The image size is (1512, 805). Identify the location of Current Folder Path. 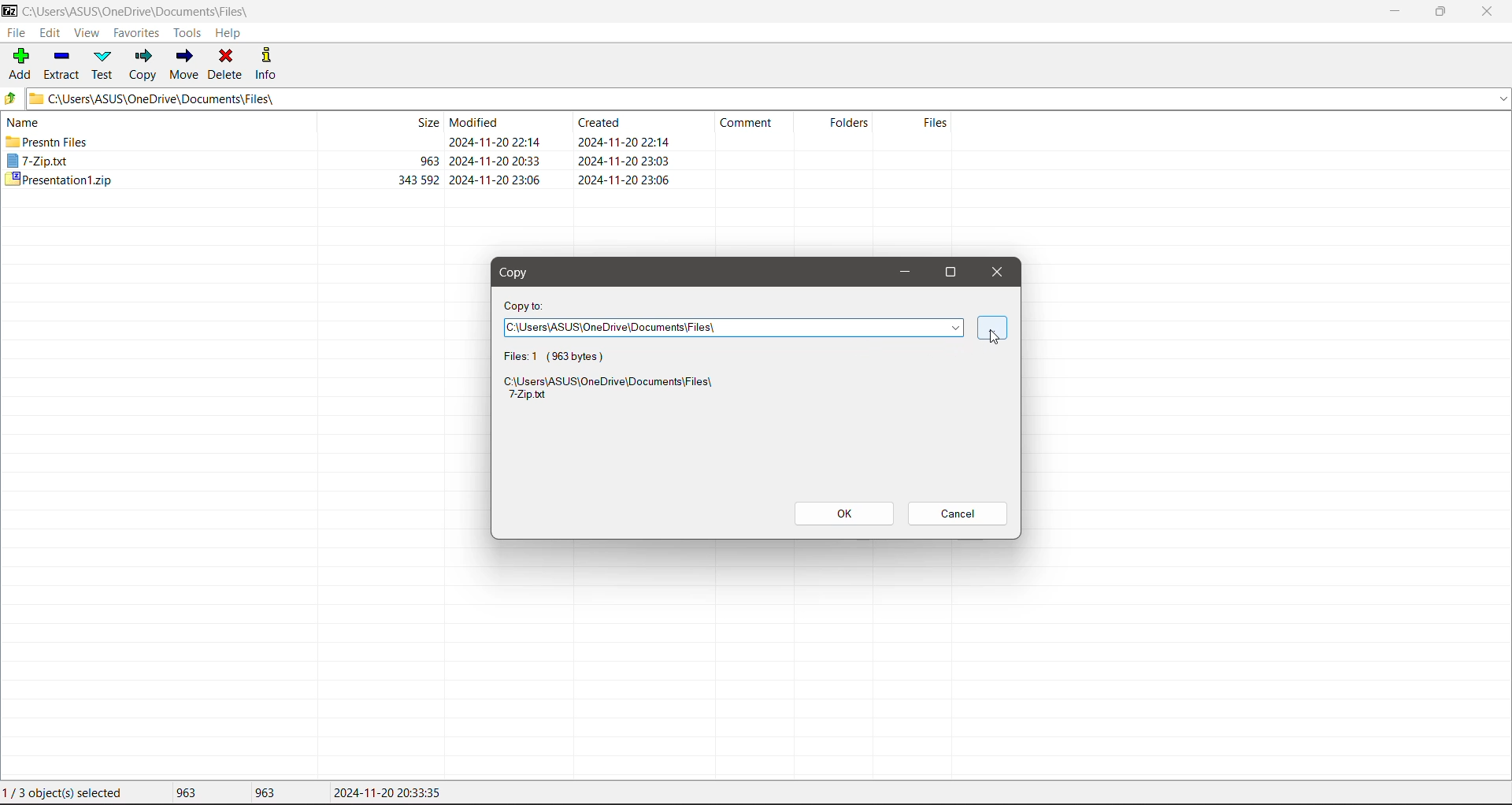
(767, 98).